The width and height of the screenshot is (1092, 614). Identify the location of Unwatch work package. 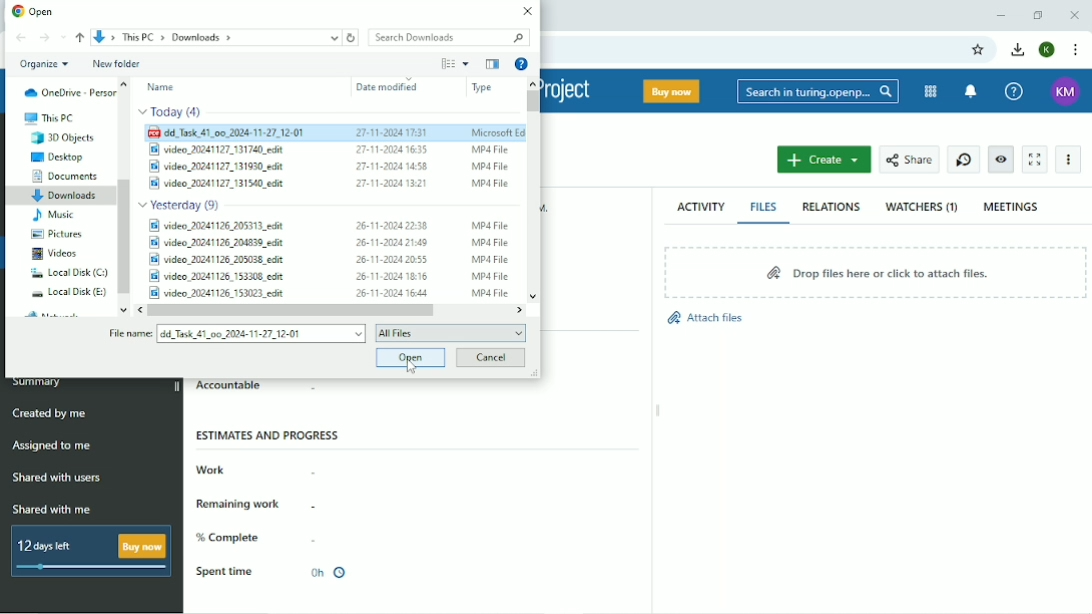
(1001, 159).